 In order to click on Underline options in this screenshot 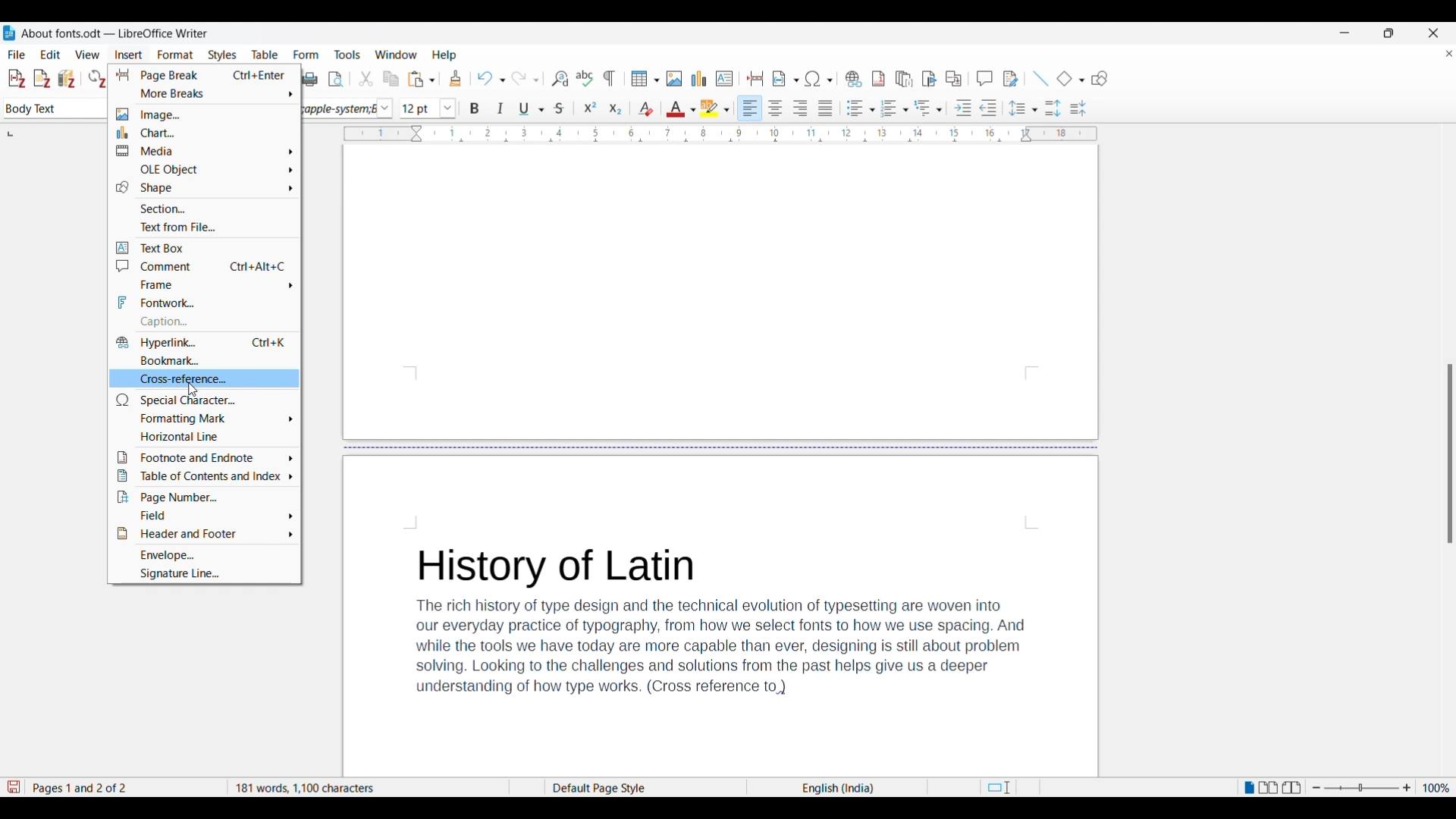, I will do `click(531, 108)`.